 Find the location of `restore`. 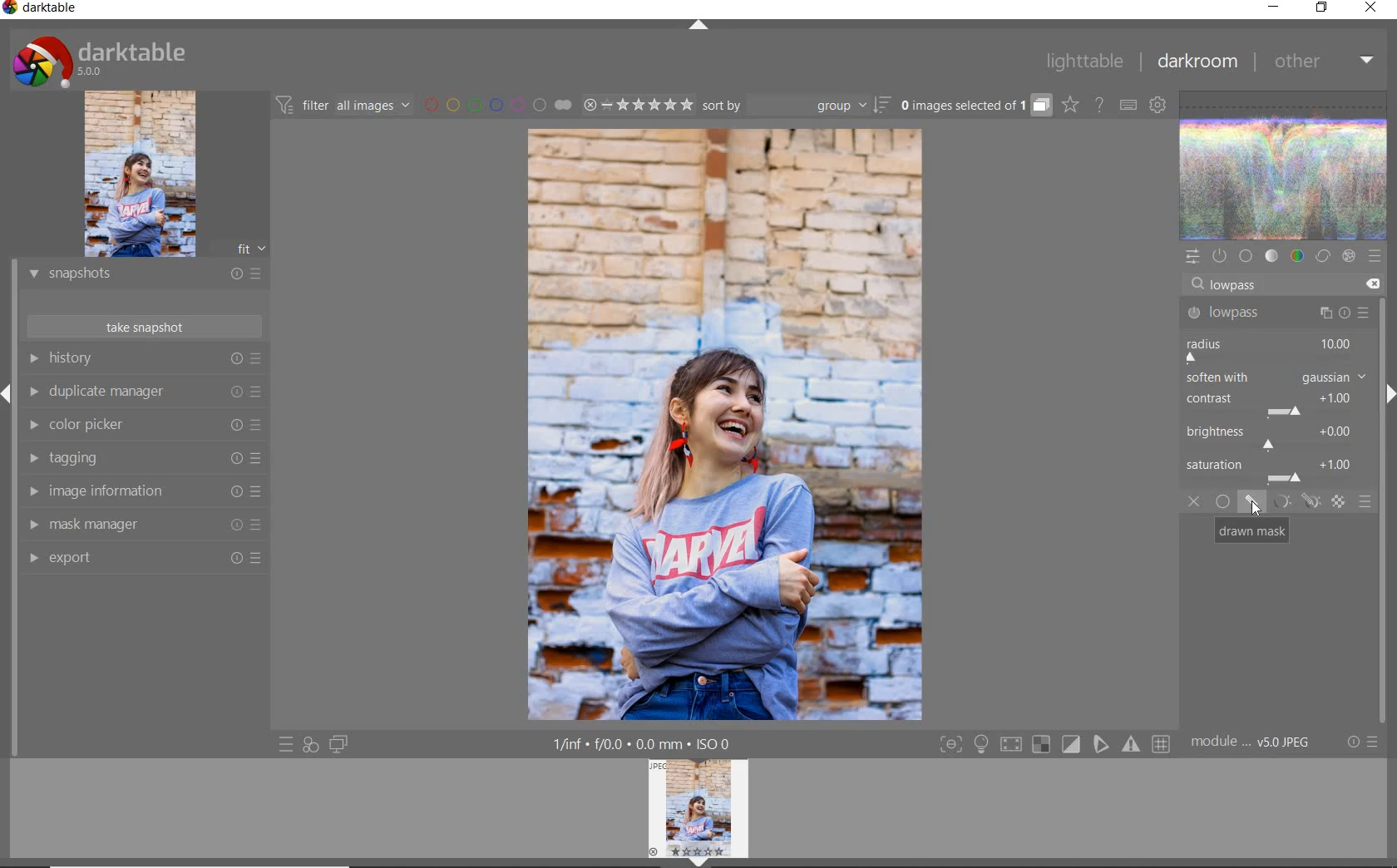

restore is located at coordinates (1322, 9).